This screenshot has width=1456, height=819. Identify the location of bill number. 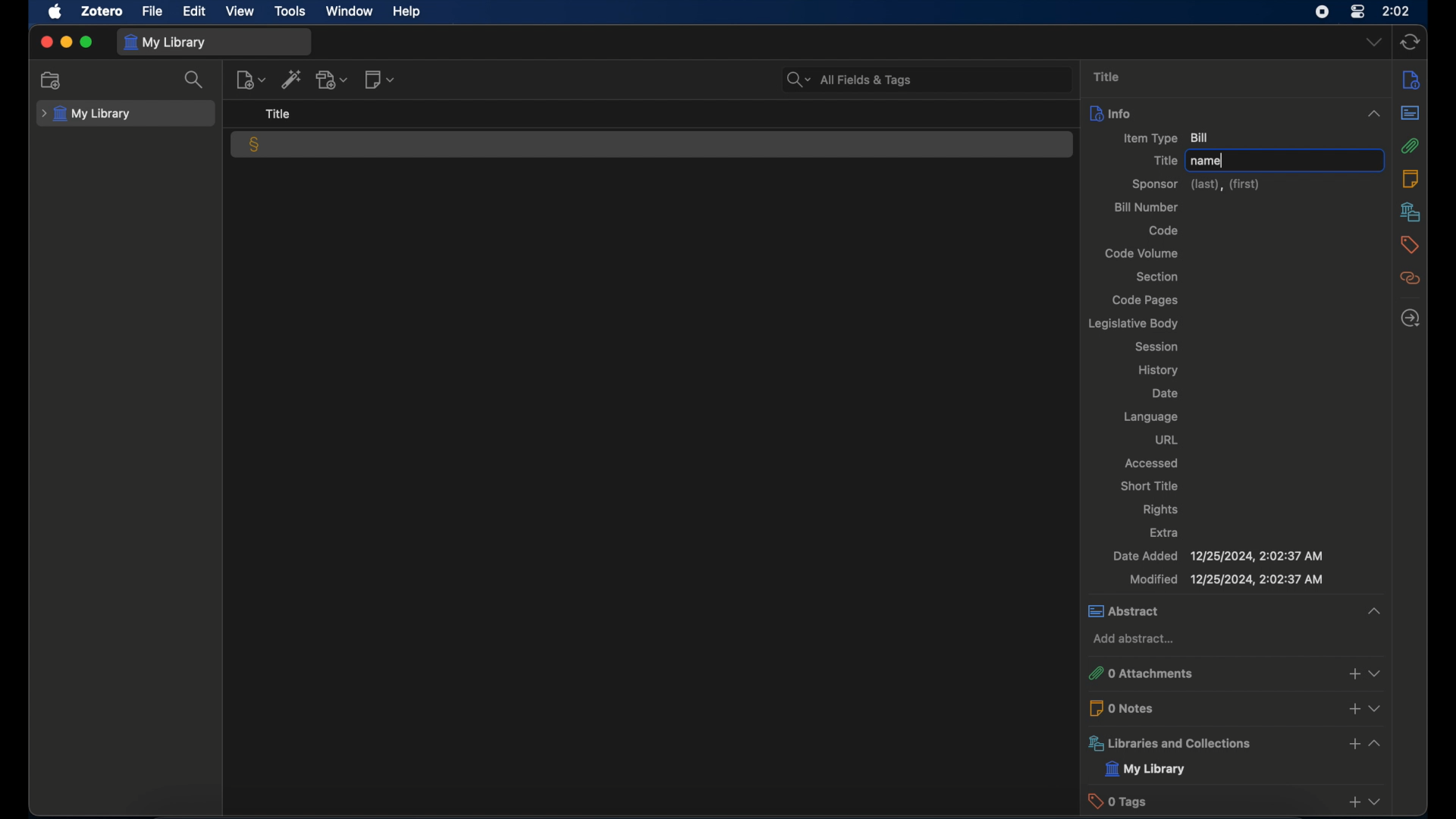
(1145, 208).